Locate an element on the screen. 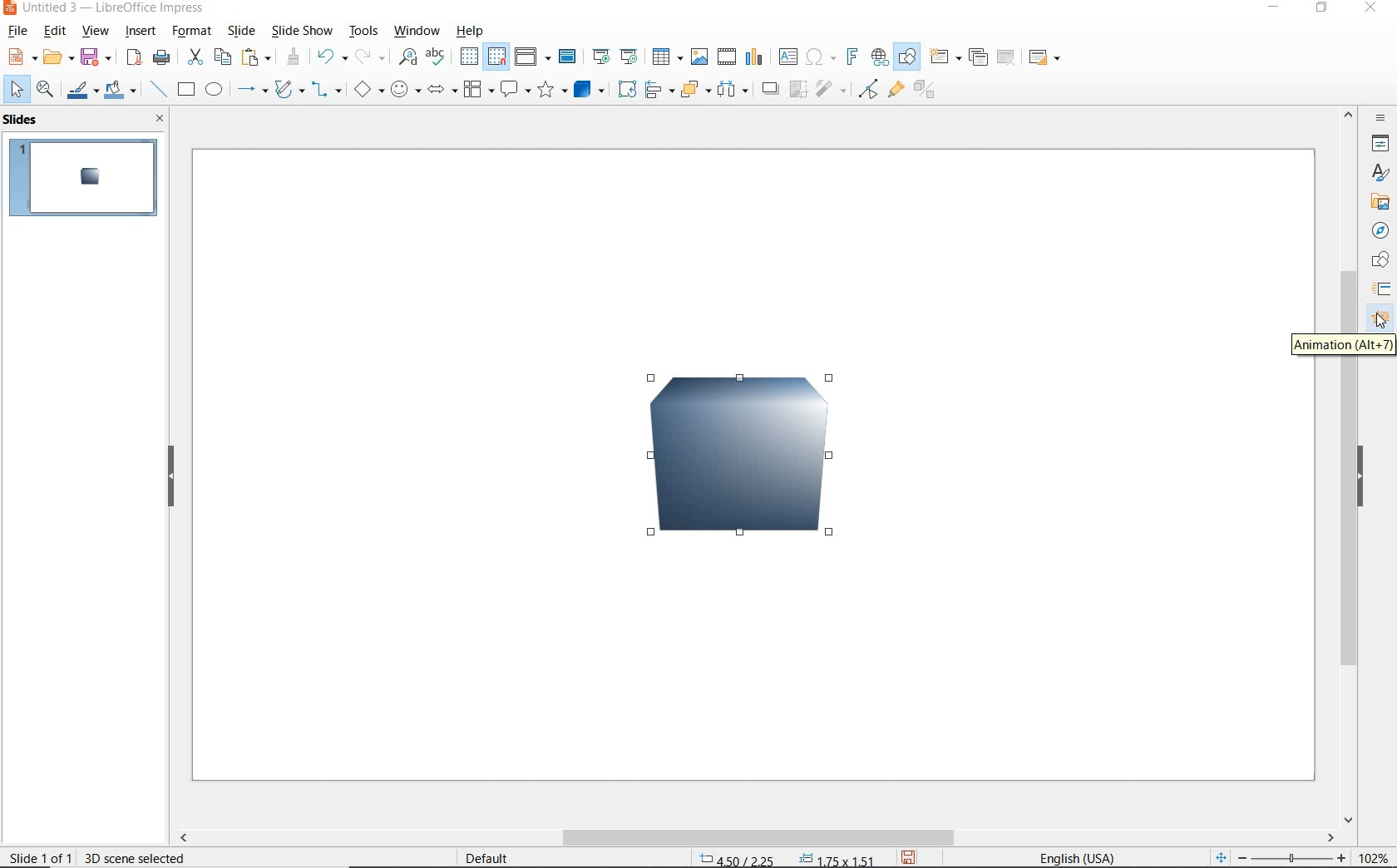 Image resolution: width=1397 pixels, height=868 pixels. help is located at coordinates (467, 32).